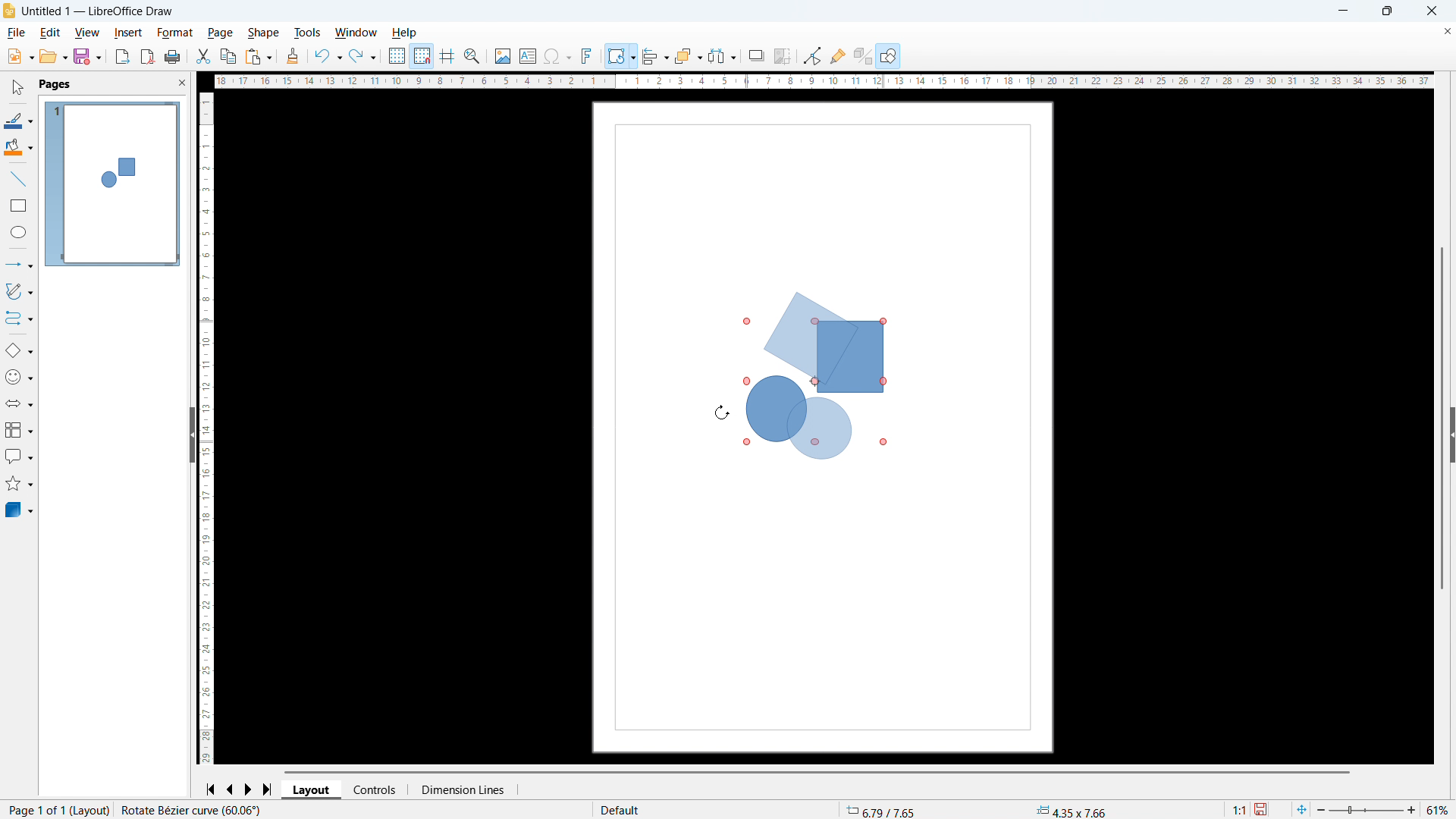 Image resolution: width=1456 pixels, height=819 pixels. What do you see at coordinates (20, 146) in the screenshot?
I see `Background colour ` at bounding box center [20, 146].